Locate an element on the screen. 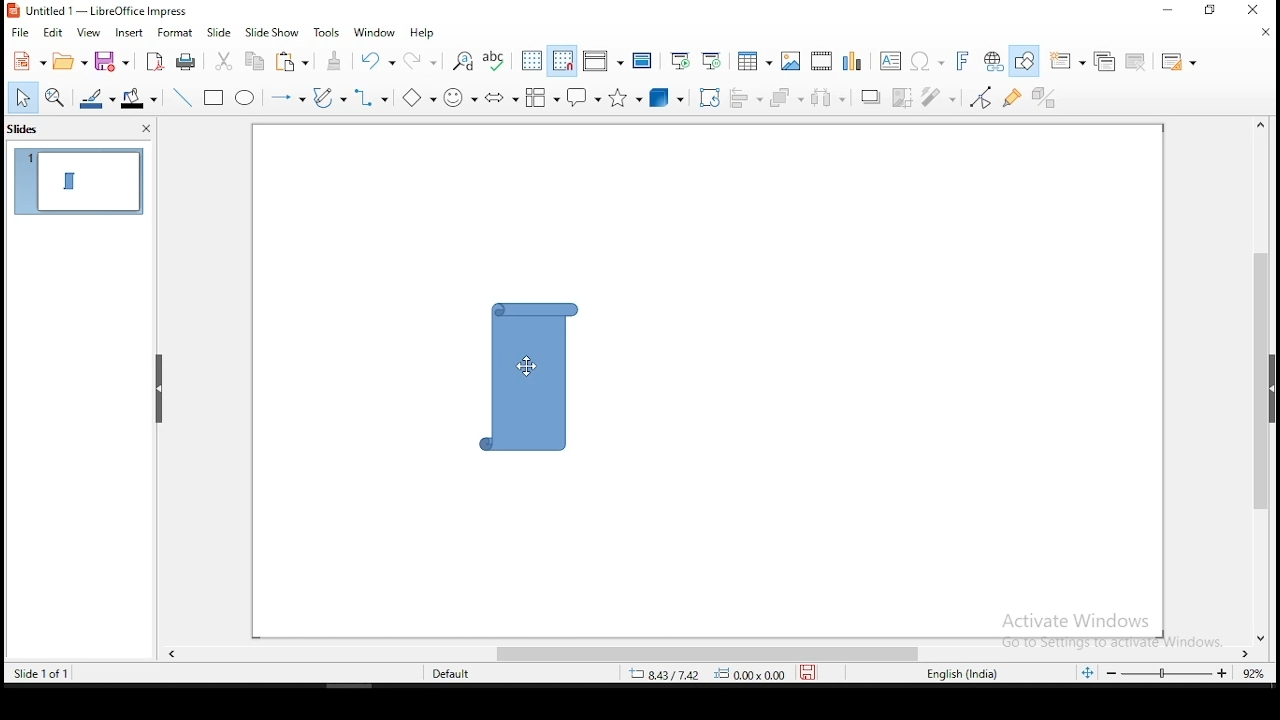 This screenshot has width=1280, height=720. delete slide is located at coordinates (1138, 62).